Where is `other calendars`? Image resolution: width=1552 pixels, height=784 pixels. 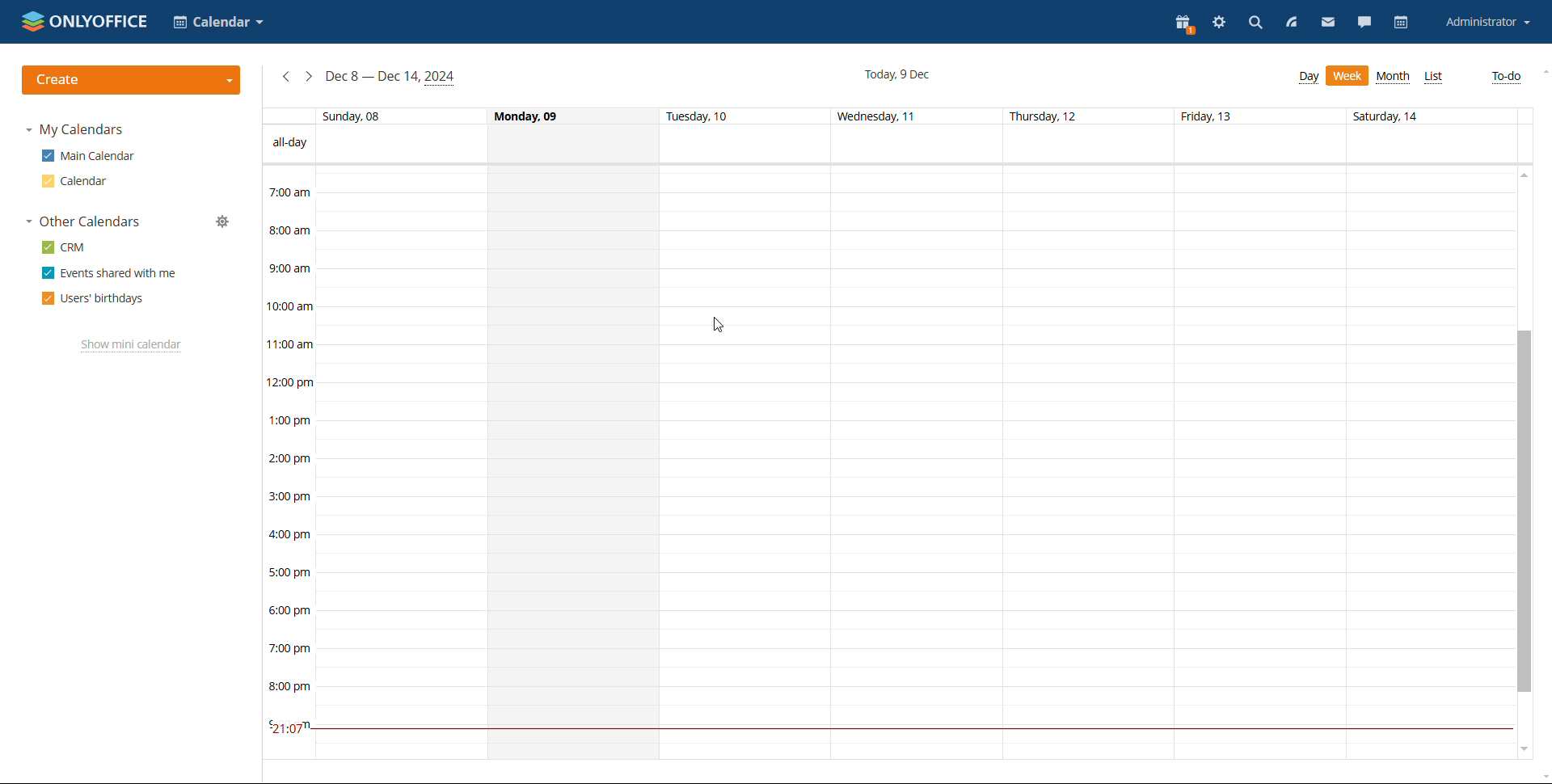
other calendars is located at coordinates (82, 222).